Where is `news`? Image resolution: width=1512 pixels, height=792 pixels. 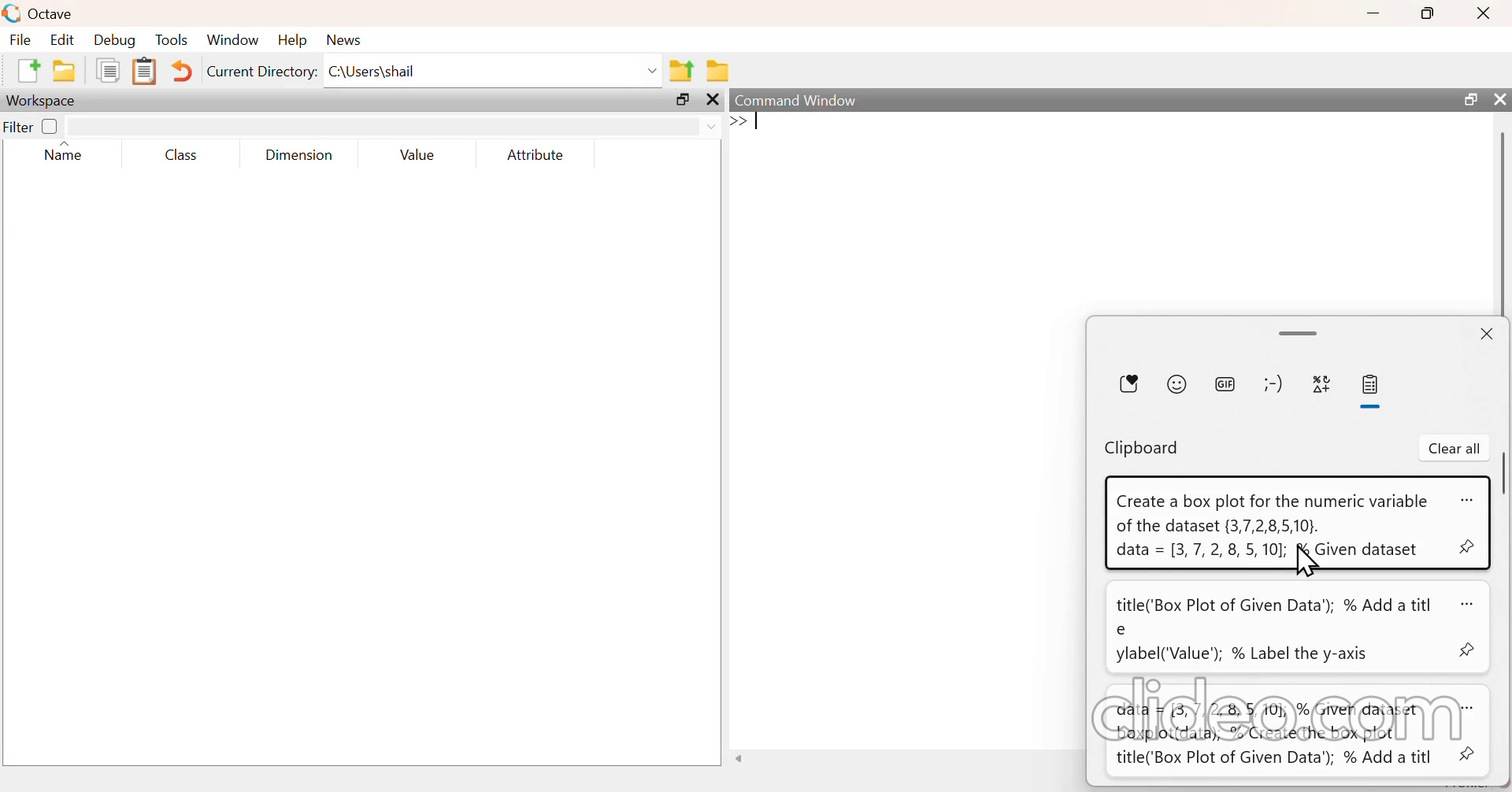 news is located at coordinates (345, 40).